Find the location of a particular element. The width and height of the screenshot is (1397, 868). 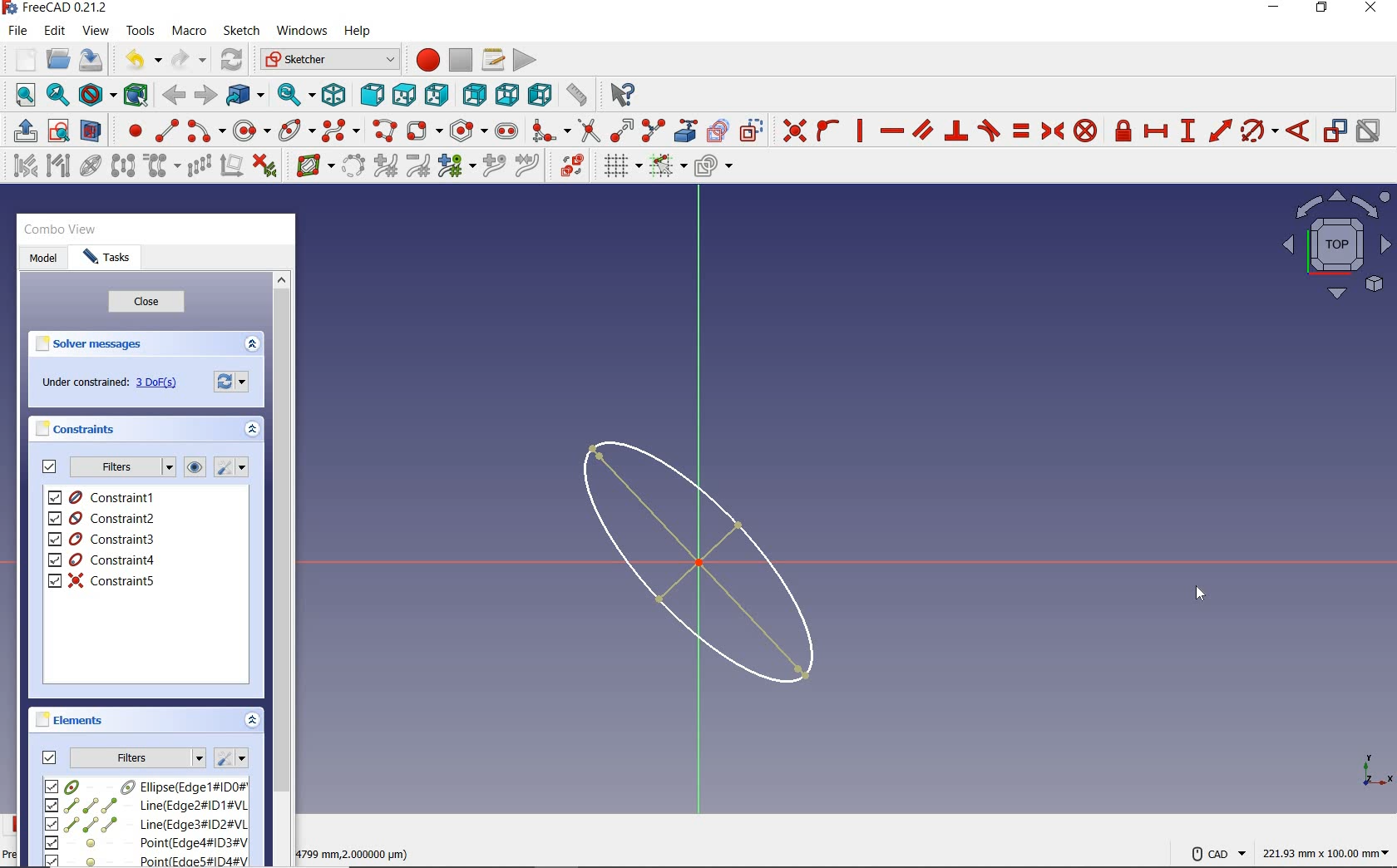

fit all is located at coordinates (21, 96).